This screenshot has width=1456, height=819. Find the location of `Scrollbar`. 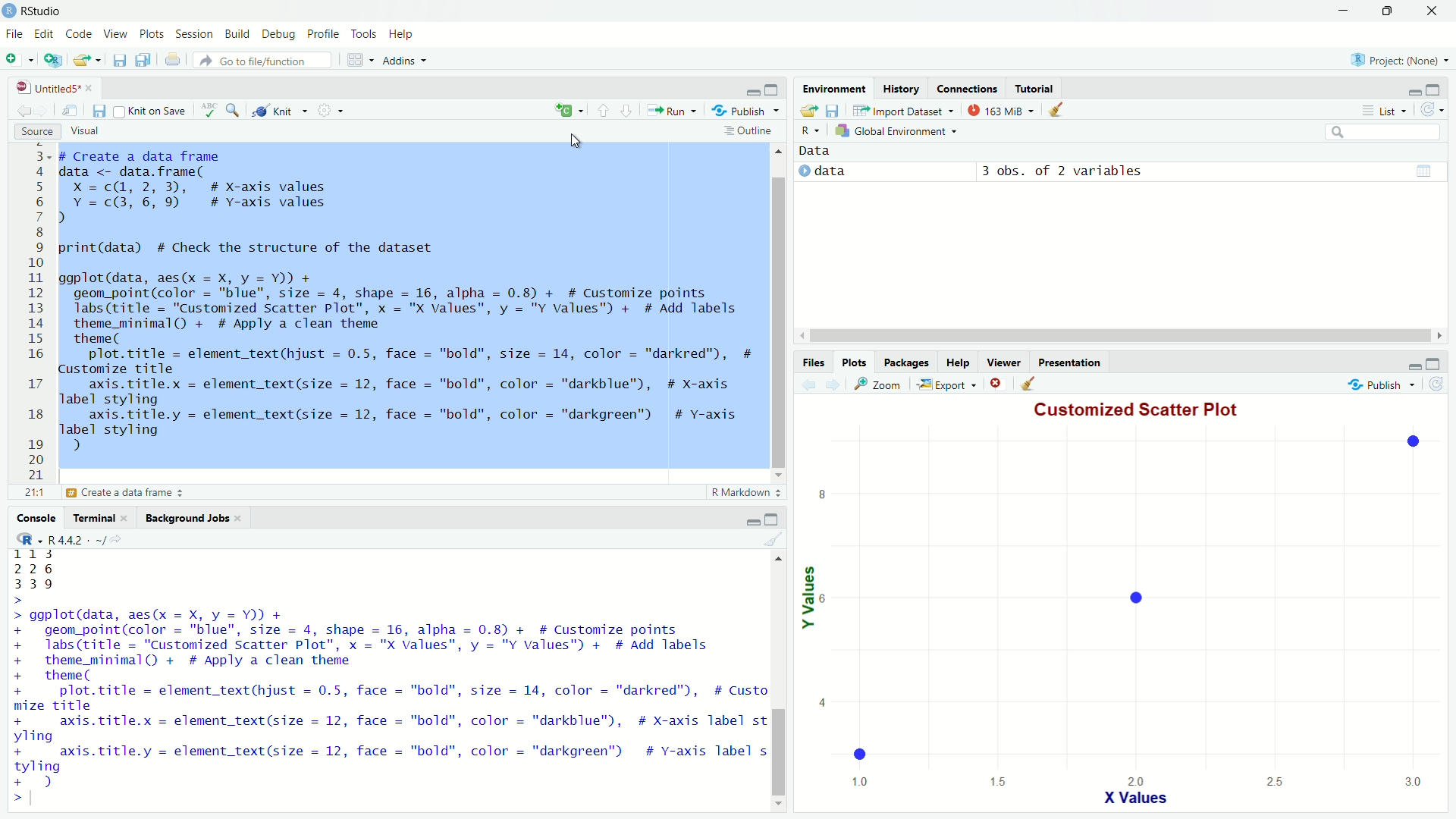

Scrollbar is located at coordinates (777, 687).